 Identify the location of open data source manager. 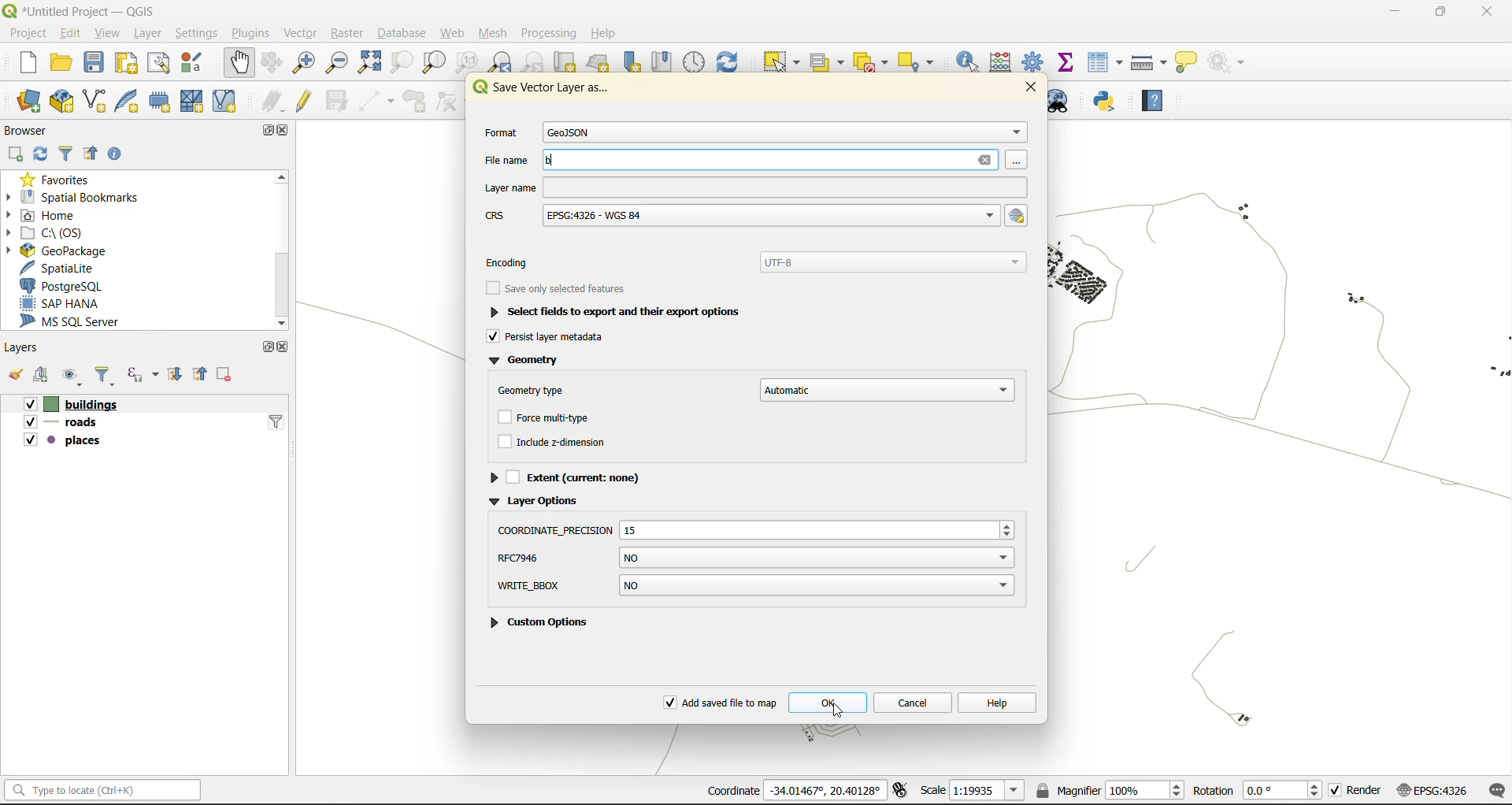
(32, 102).